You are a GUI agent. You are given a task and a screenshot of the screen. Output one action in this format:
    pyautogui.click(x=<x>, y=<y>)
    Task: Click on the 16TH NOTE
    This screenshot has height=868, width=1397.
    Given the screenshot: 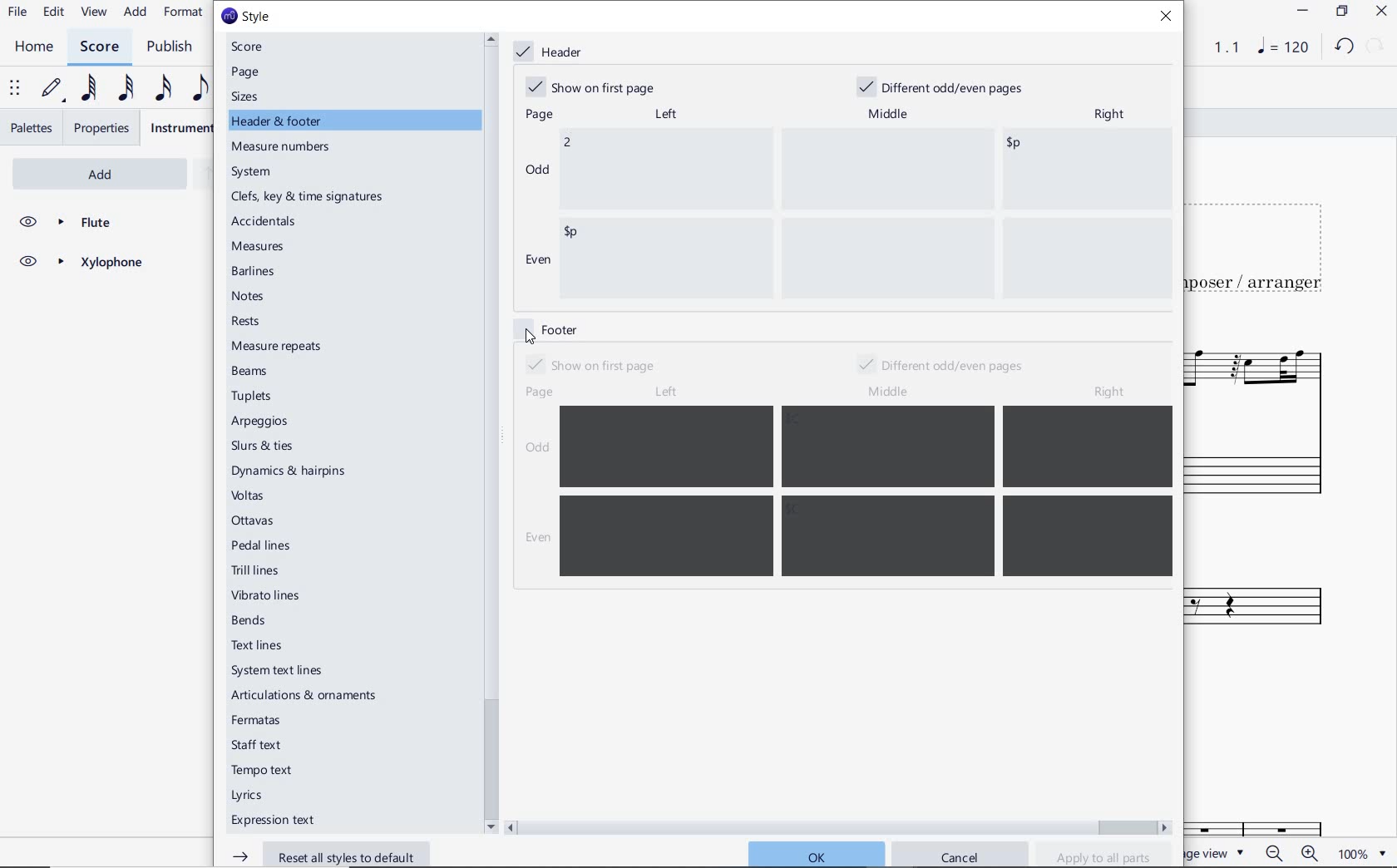 What is the action you would take?
    pyautogui.click(x=163, y=87)
    